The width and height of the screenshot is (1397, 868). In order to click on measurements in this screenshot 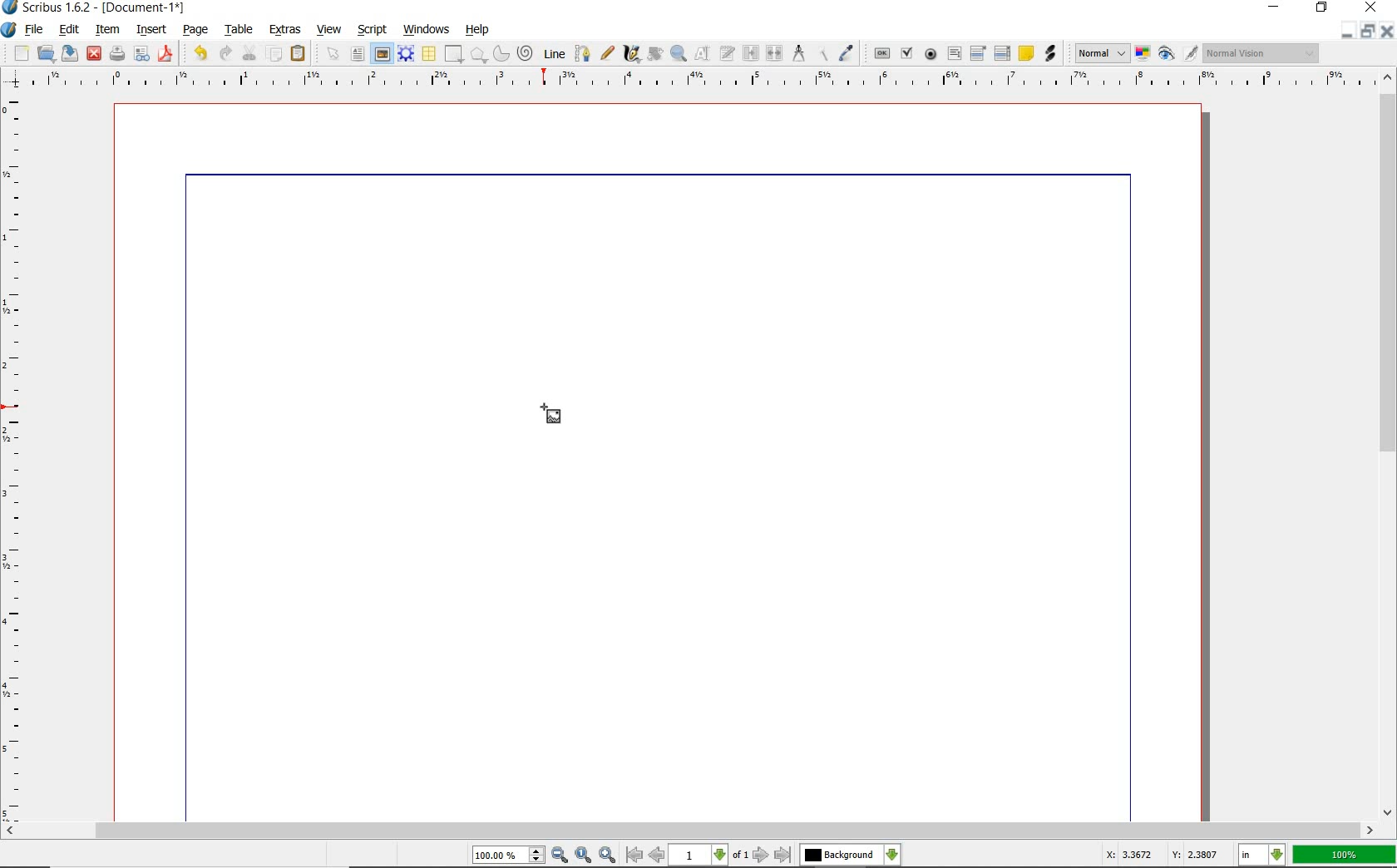, I will do `click(799, 52)`.